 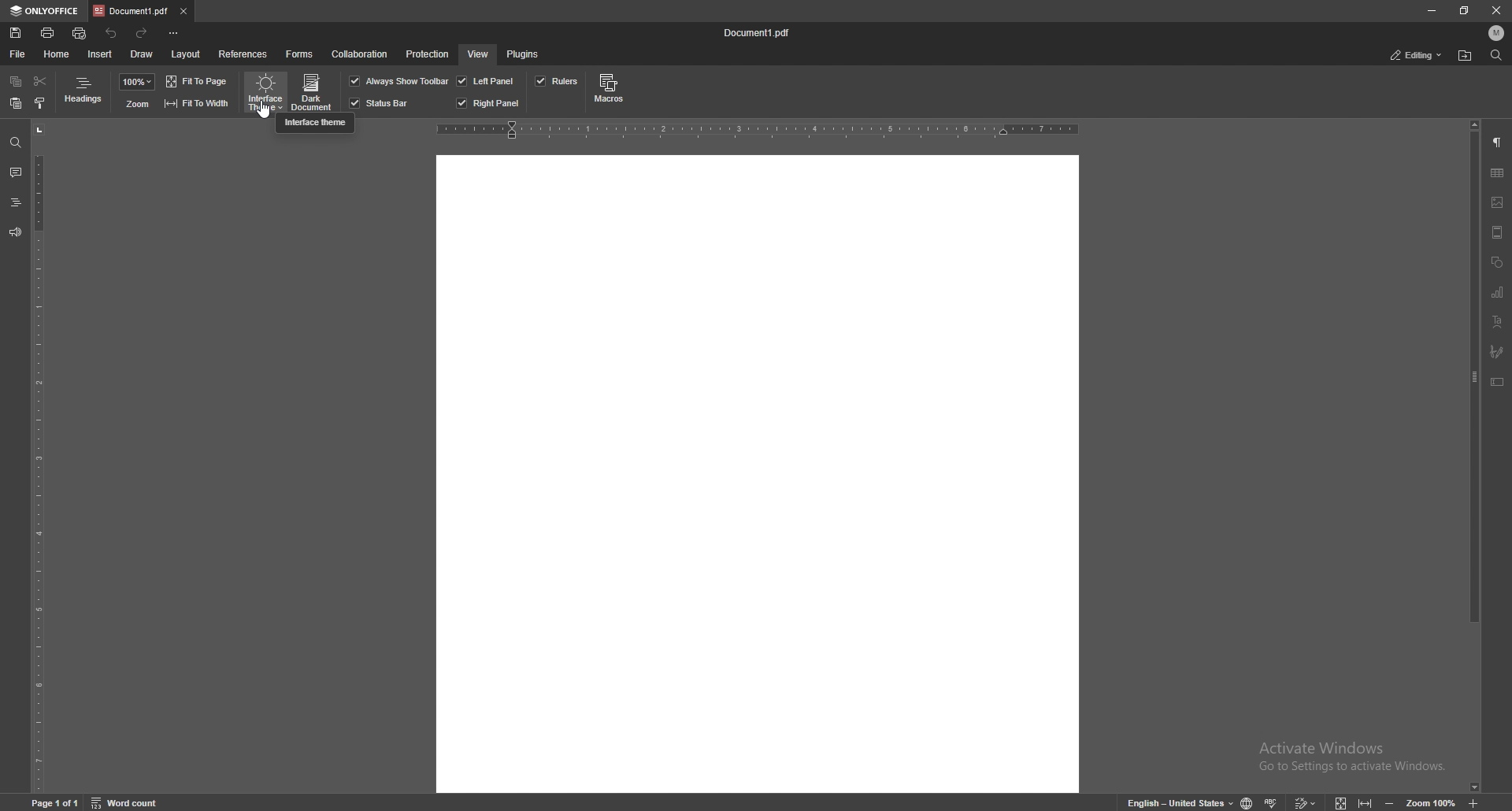 I want to click on horizontal scale, so click(x=756, y=131).